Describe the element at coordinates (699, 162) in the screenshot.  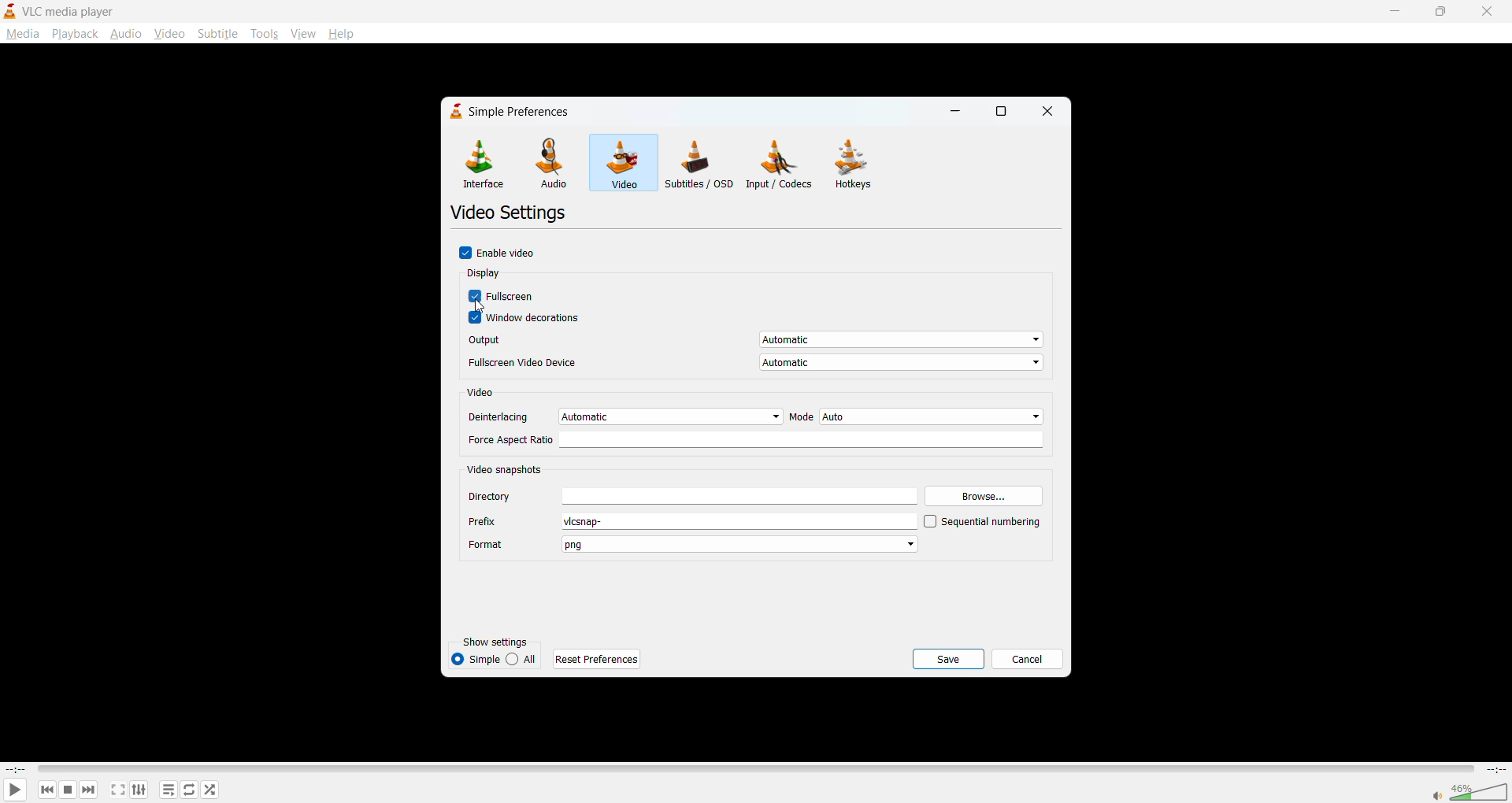
I see `subtitles/osd` at that location.